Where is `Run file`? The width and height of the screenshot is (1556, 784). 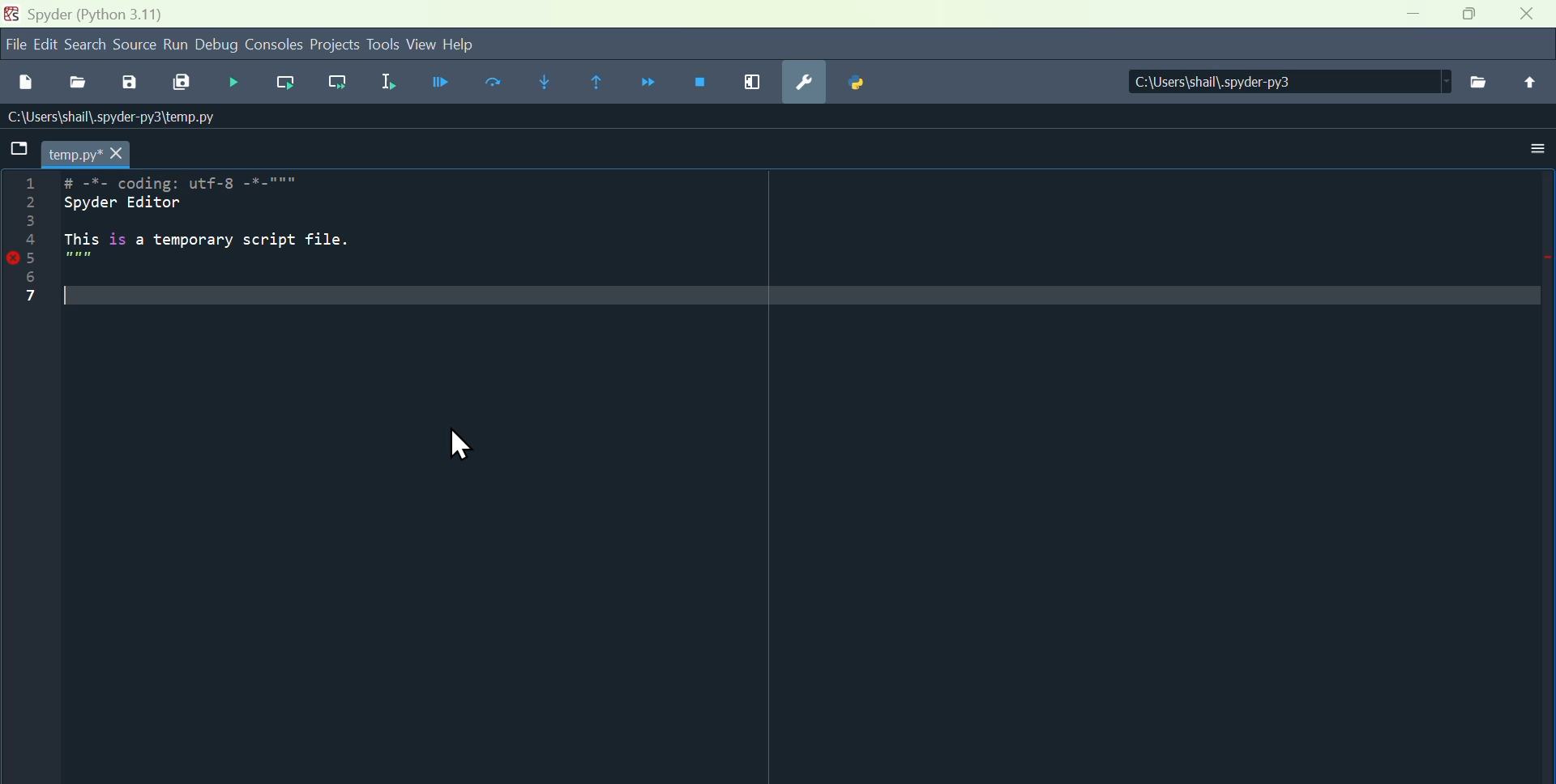 Run file is located at coordinates (443, 86).